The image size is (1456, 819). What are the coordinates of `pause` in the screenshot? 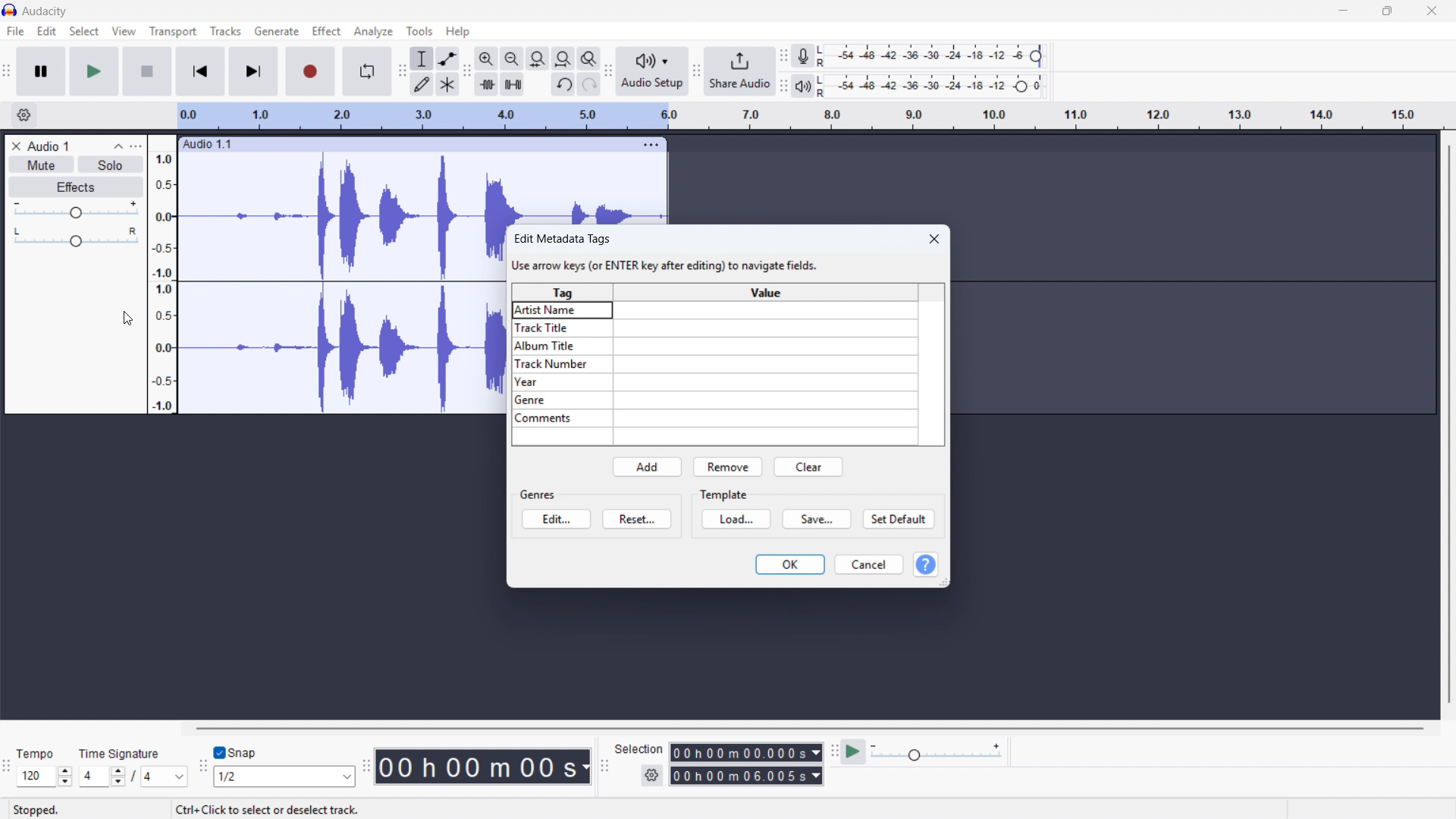 It's located at (40, 71).